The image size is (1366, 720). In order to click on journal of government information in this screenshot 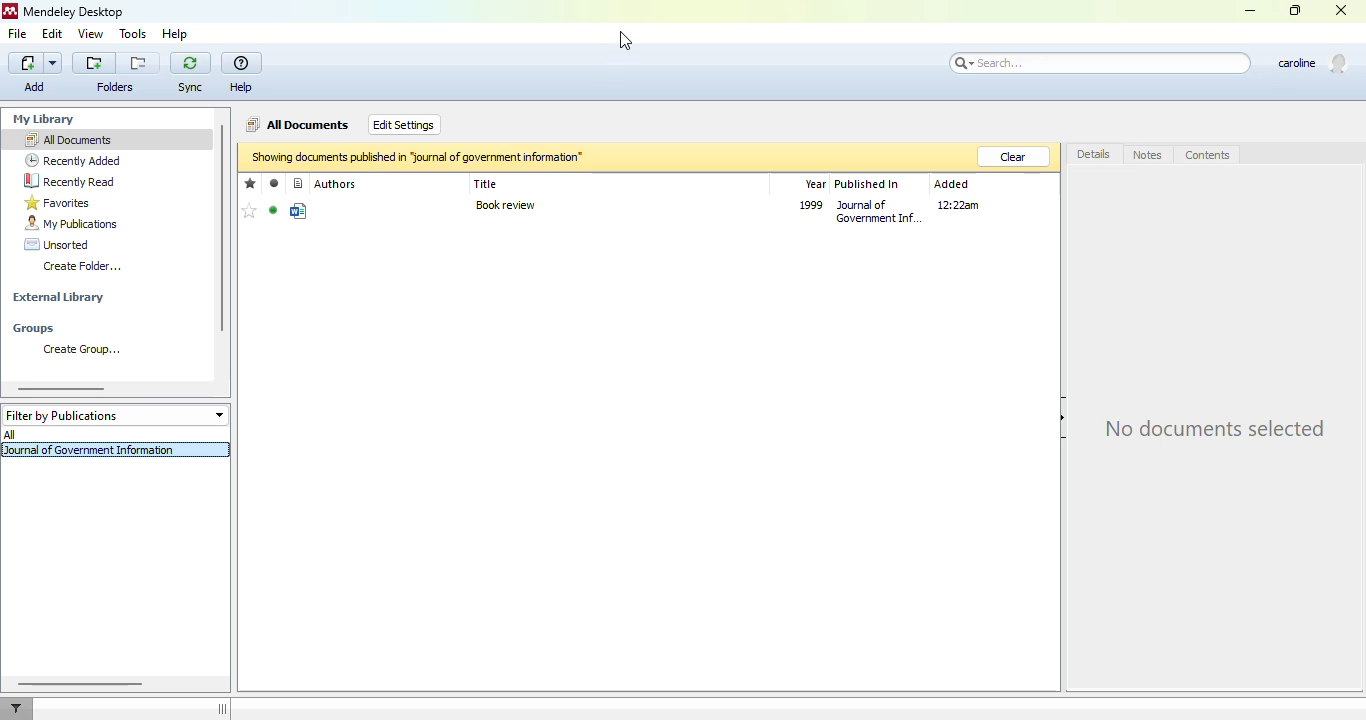, I will do `click(880, 211)`.